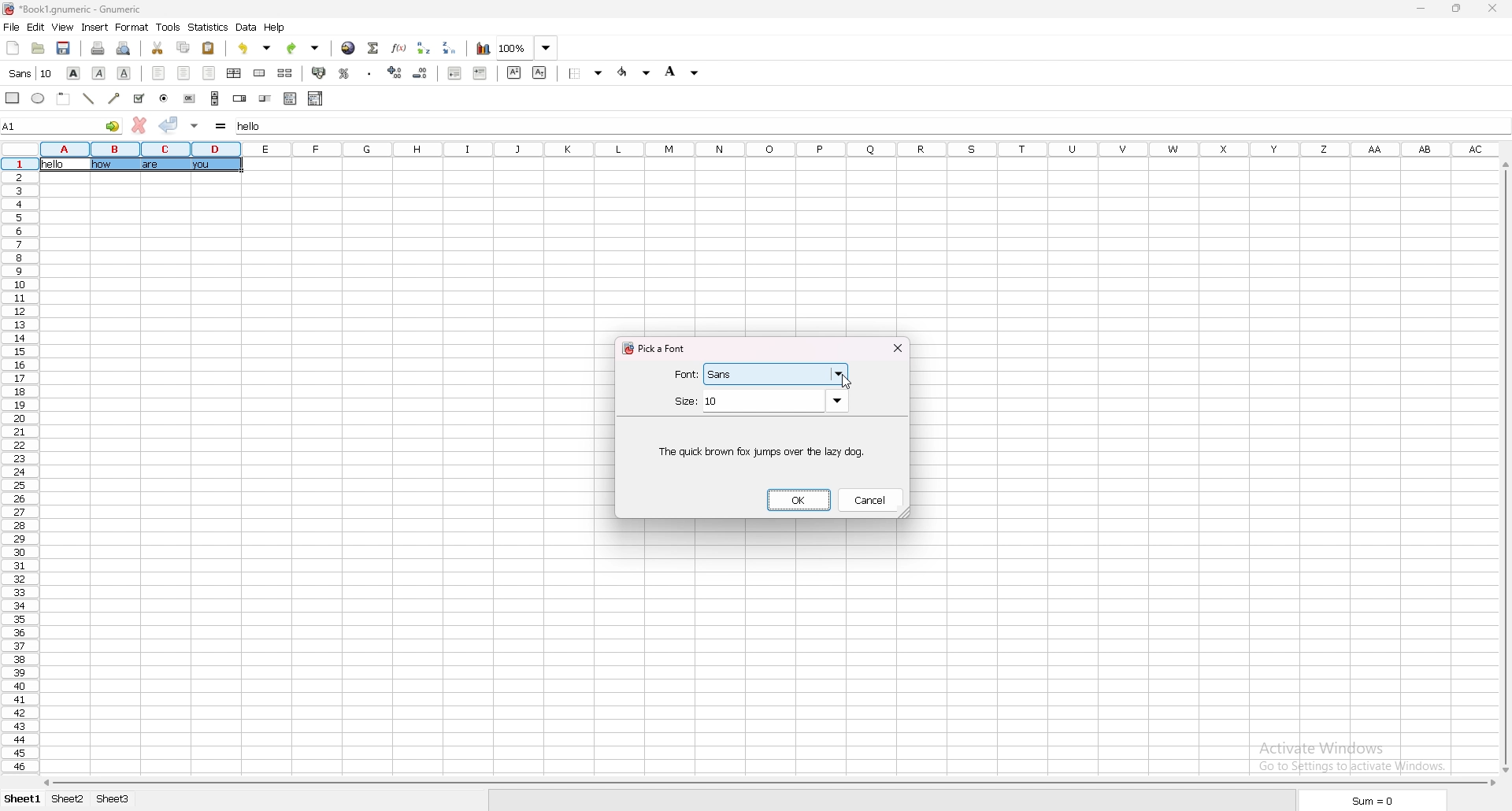 The height and width of the screenshot is (811, 1512). I want to click on redo, so click(304, 47).